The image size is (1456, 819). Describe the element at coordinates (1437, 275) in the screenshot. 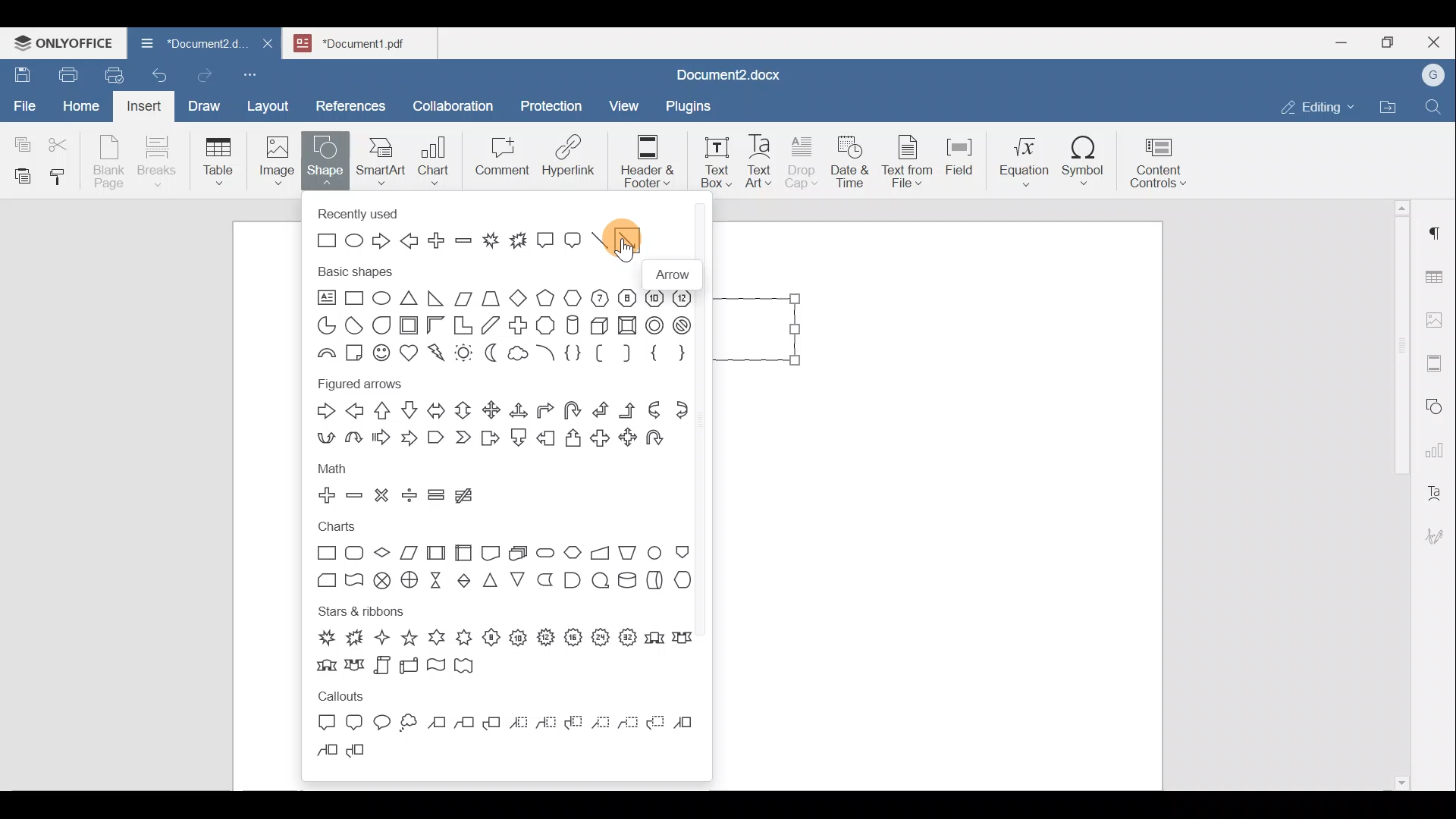

I see `Table settings` at that location.